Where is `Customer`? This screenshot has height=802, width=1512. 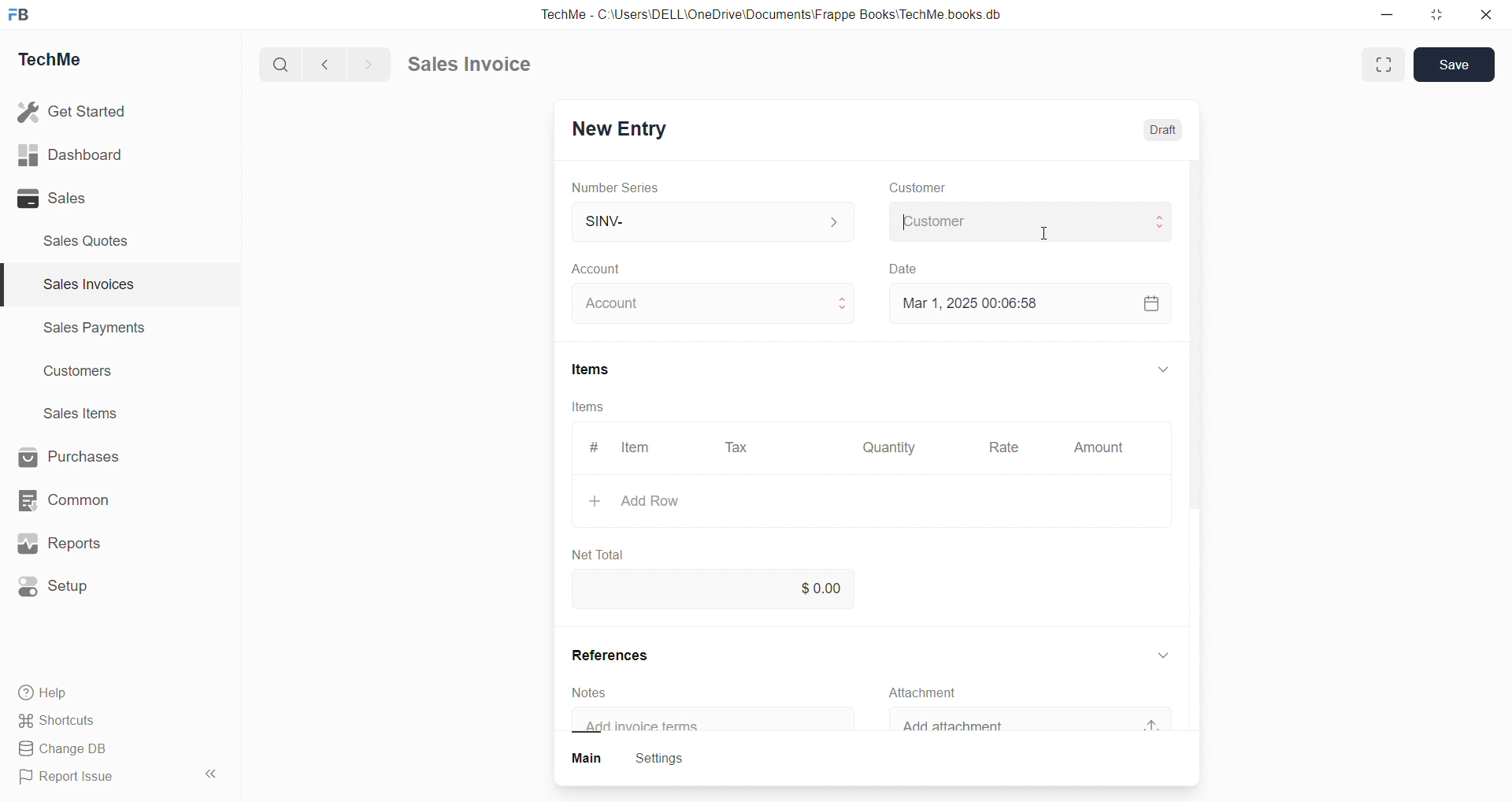
Customer is located at coordinates (918, 188).